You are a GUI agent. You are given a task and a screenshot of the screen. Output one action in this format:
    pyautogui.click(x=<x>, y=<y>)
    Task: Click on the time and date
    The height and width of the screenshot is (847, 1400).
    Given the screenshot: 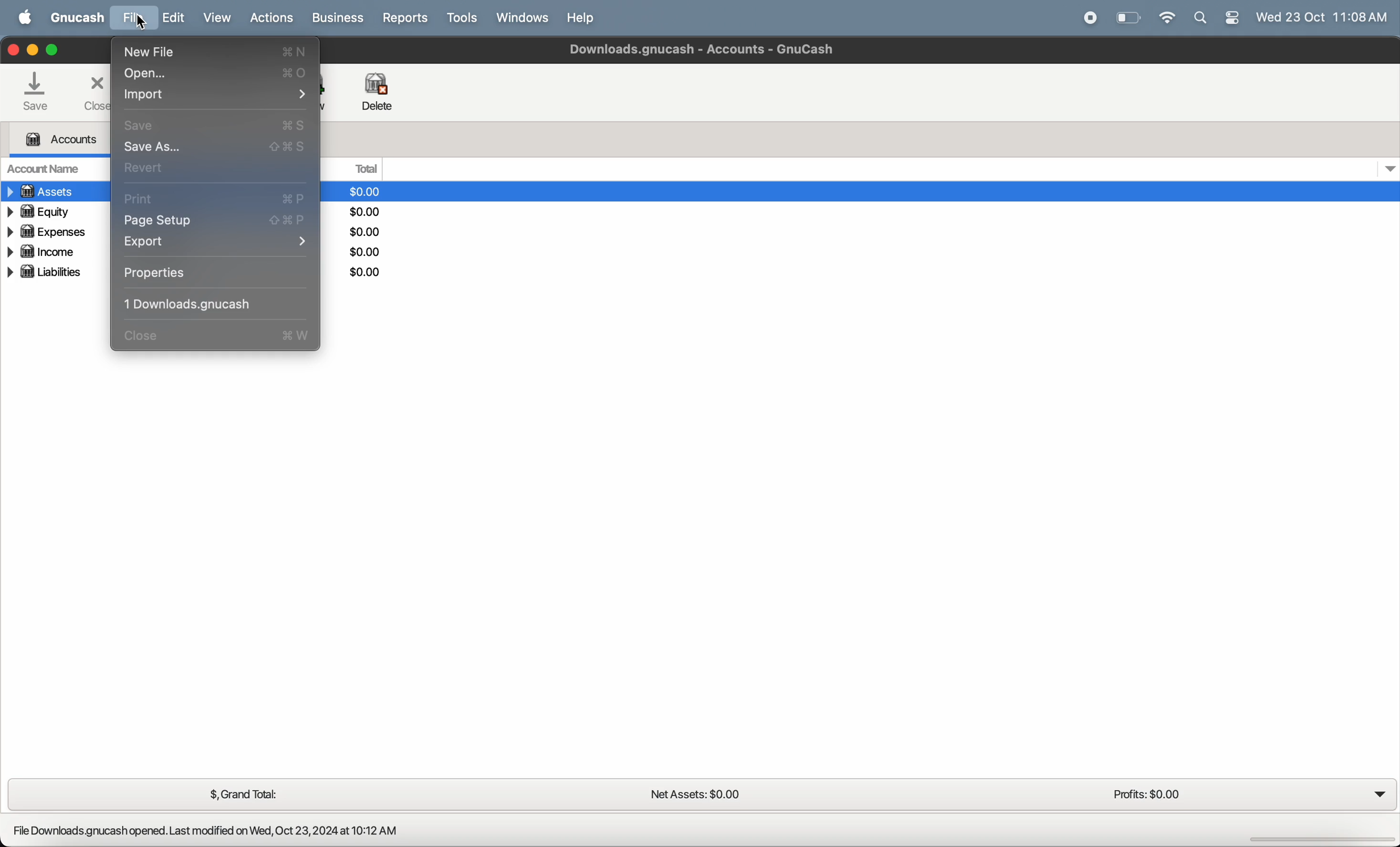 What is the action you would take?
    pyautogui.click(x=1323, y=18)
    